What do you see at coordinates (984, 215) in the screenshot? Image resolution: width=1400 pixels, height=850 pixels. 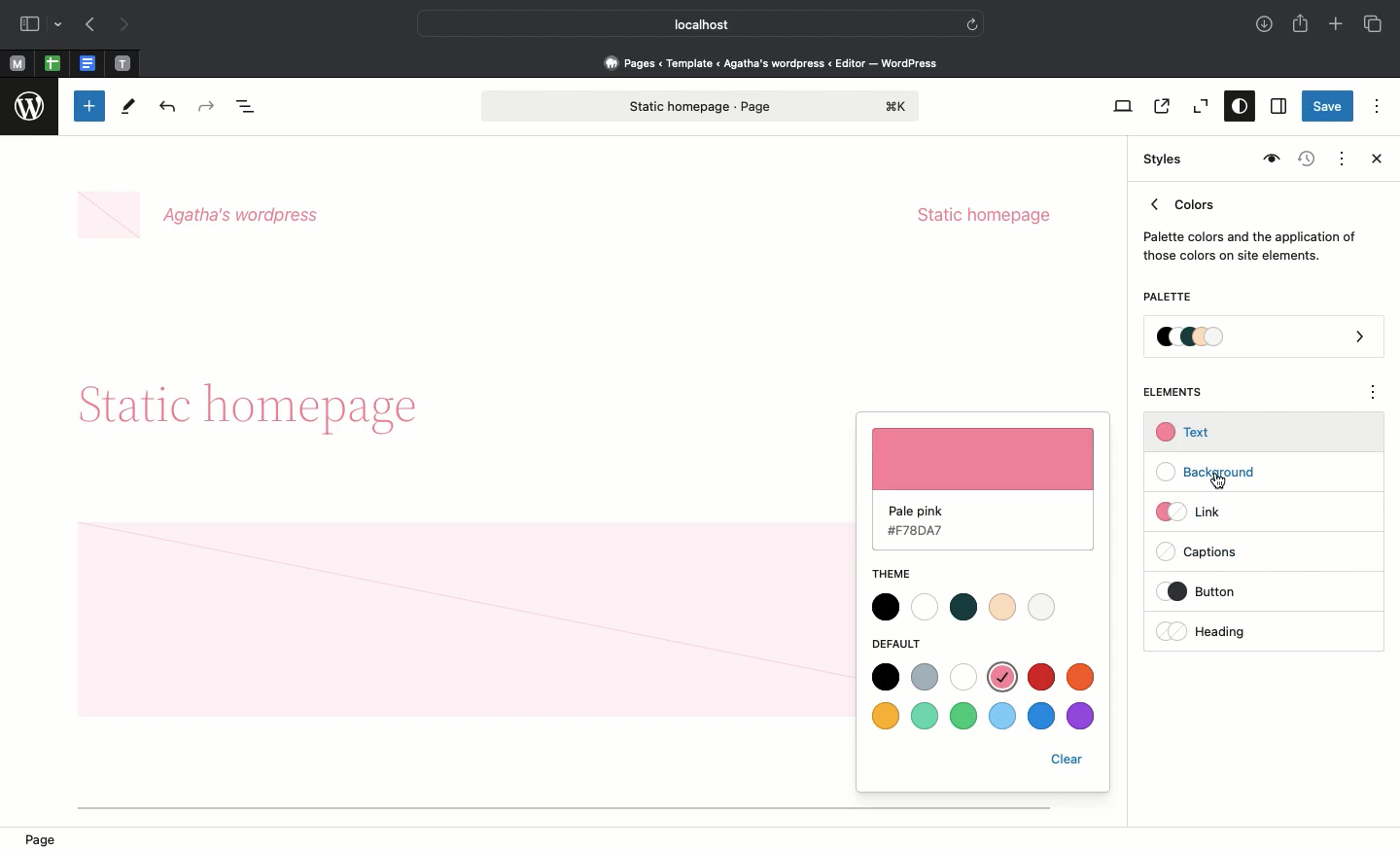 I see `Static homepage` at bounding box center [984, 215].